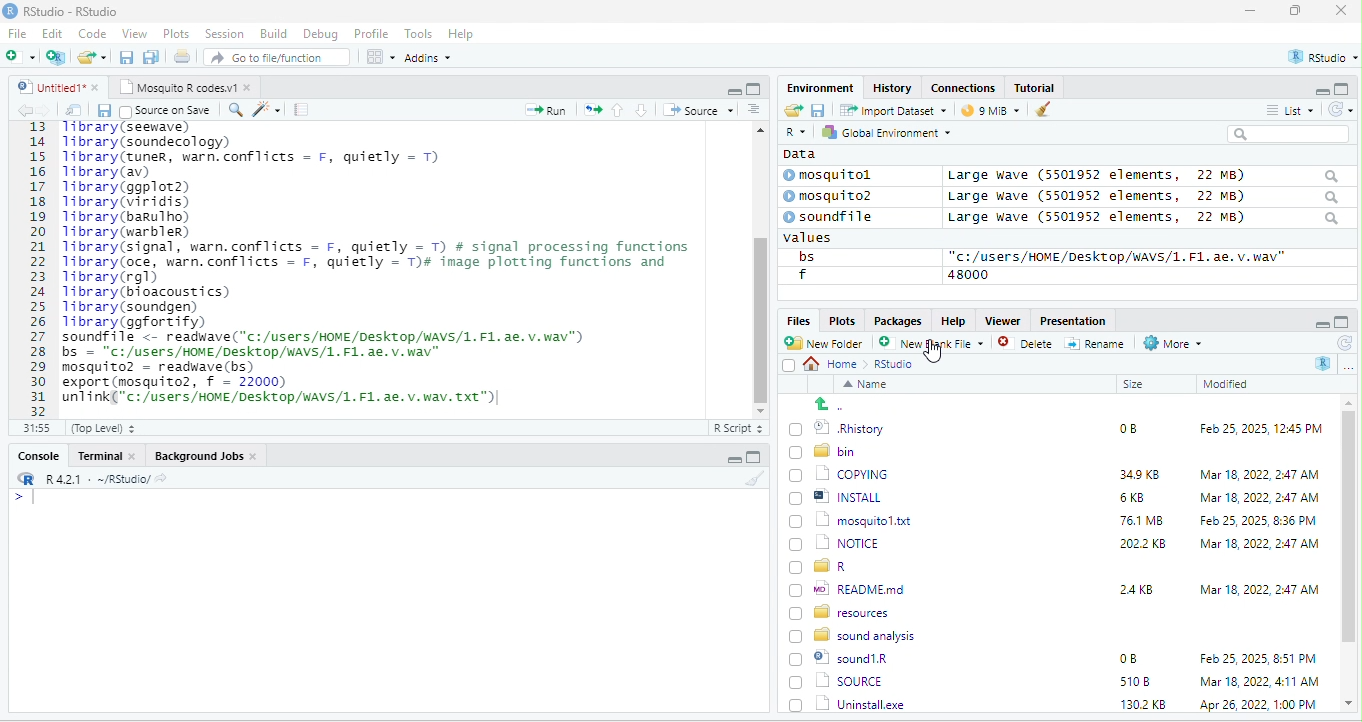 This screenshot has width=1362, height=722. What do you see at coordinates (844, 519) in the screenshot?
I see `1 mosquitol.txt` at bounding box center [844, 519].